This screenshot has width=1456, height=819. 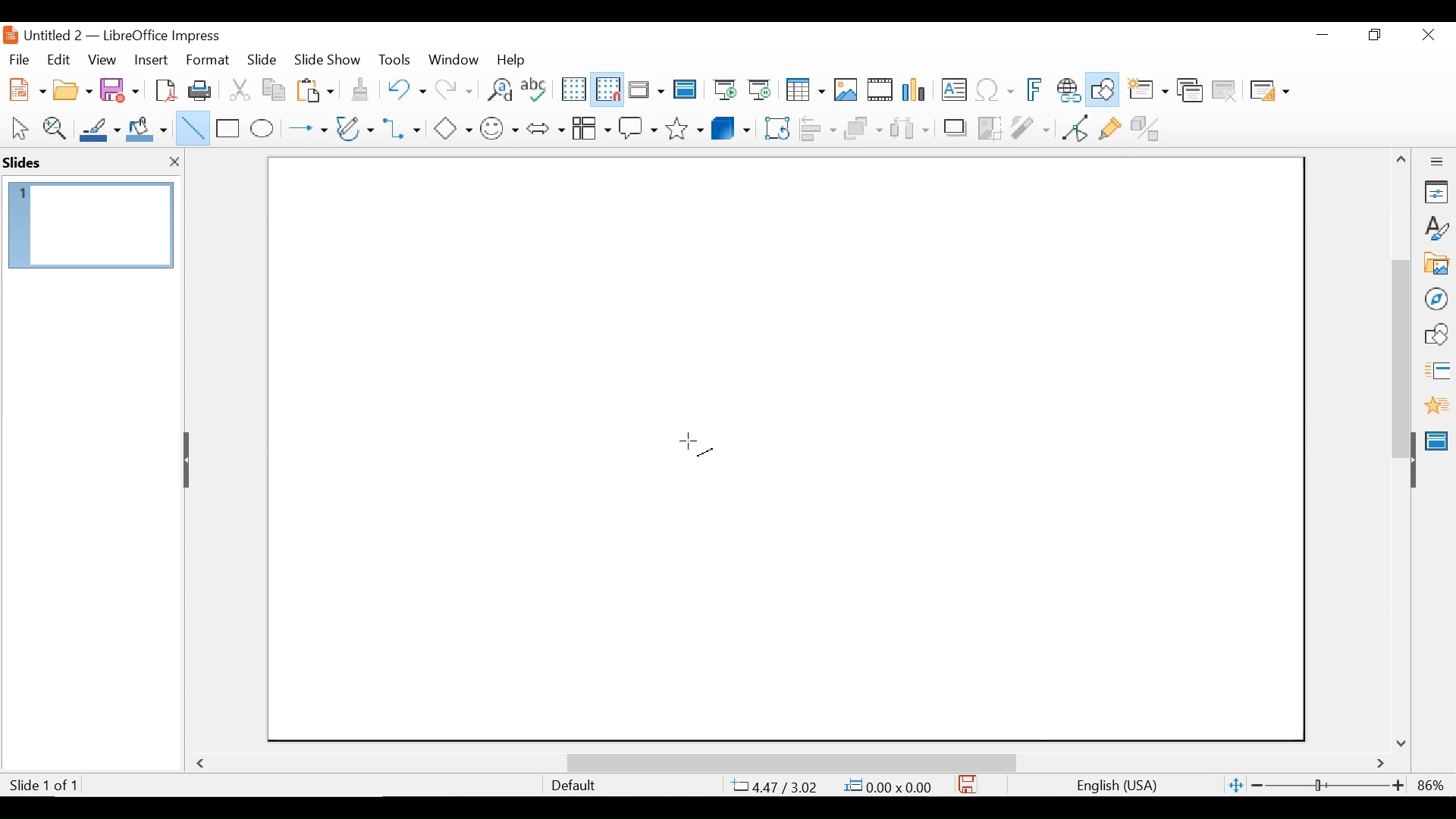 I want to click on Sidebar Settings, so click(x=1437, y=162).